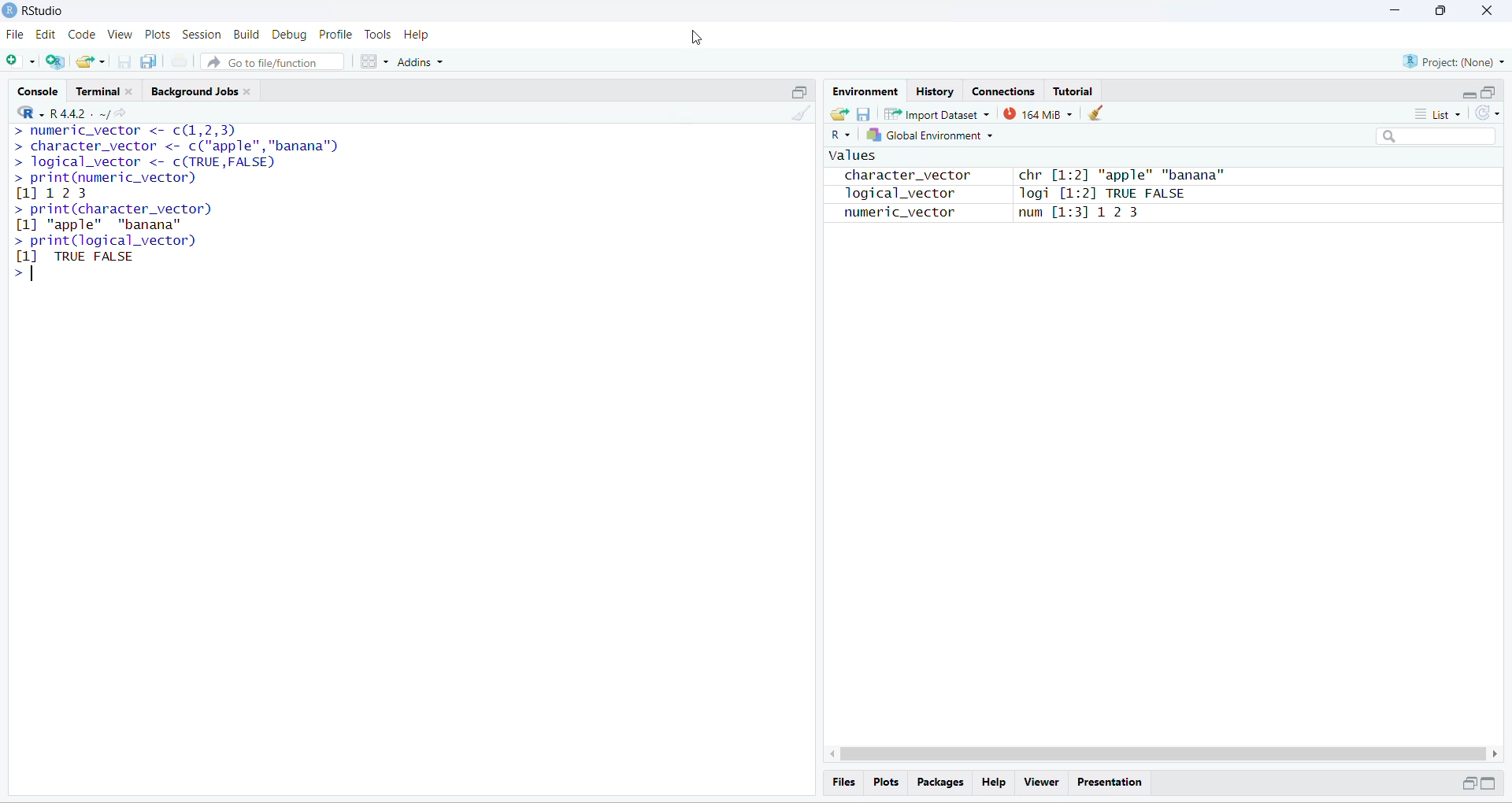 The height and width of the screenshot is (803, 1512). What do you see at coordinates (1488, 92) in the screenshot?
I see `maximize` at bounding box center [1488, 92].